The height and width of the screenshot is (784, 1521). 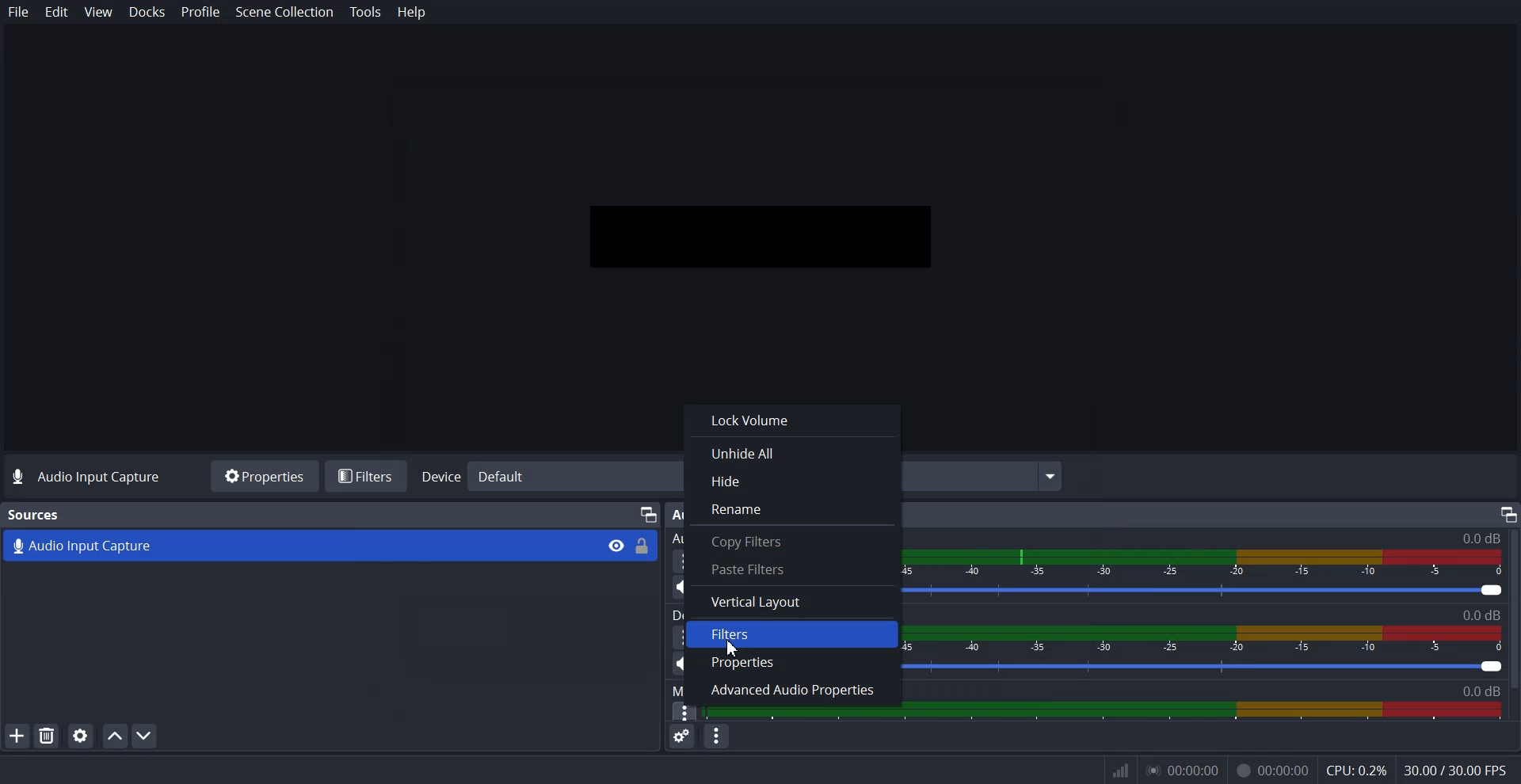 I want to click on Text , so click(x=89, y=478).